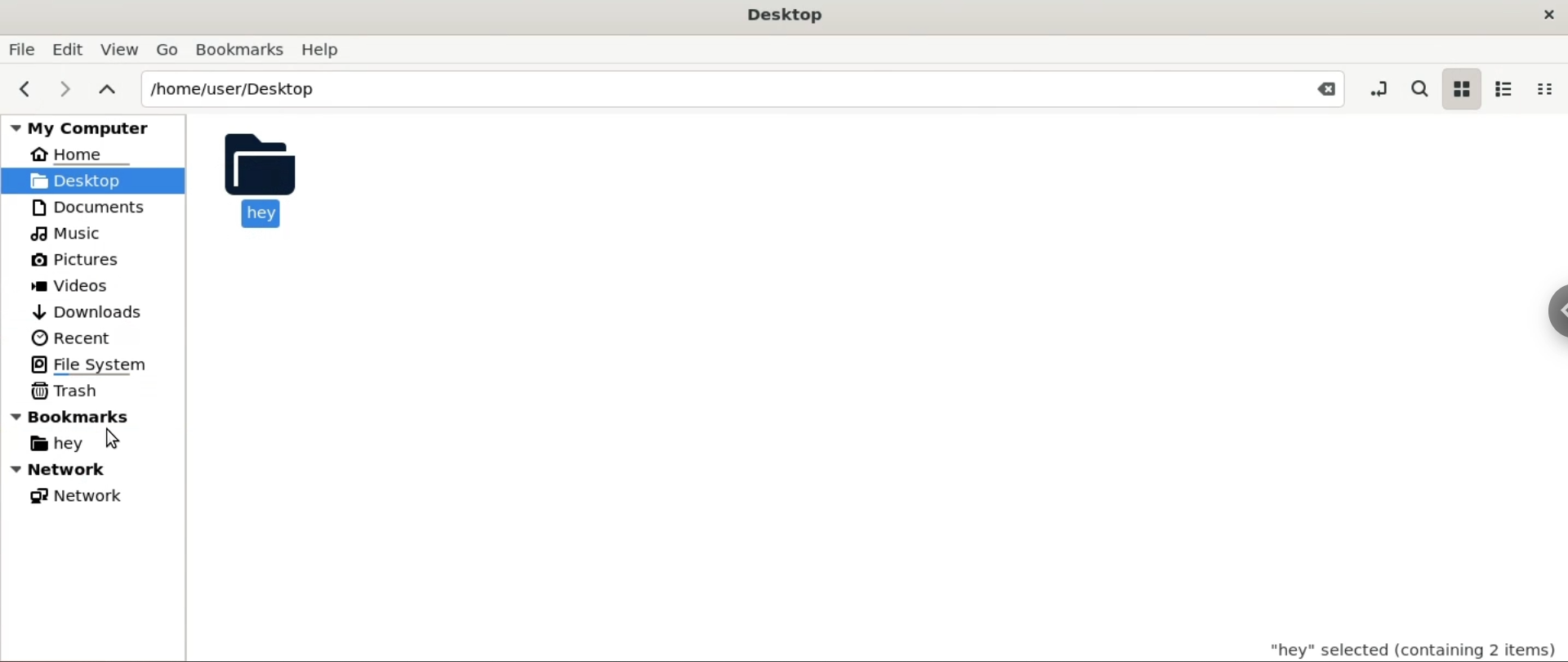  I want to click on Network, so click(78, 497).